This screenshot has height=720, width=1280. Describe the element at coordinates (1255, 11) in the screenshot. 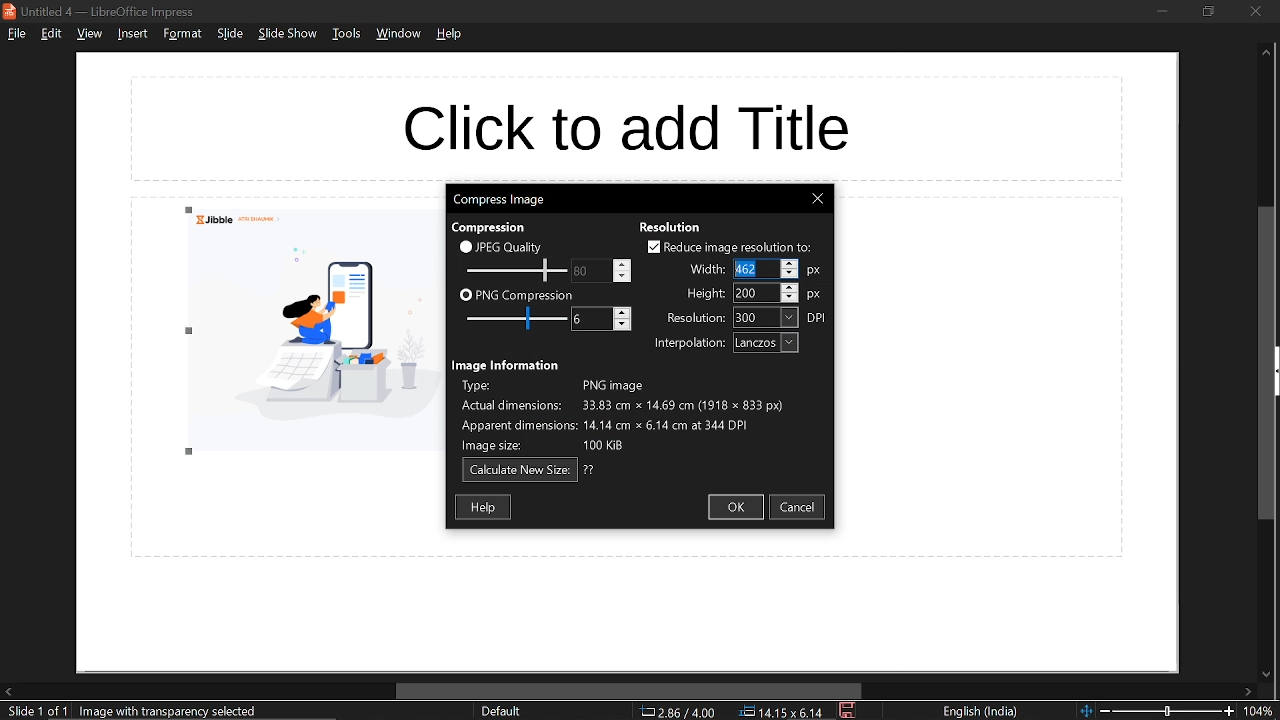

I see `close` at that location.